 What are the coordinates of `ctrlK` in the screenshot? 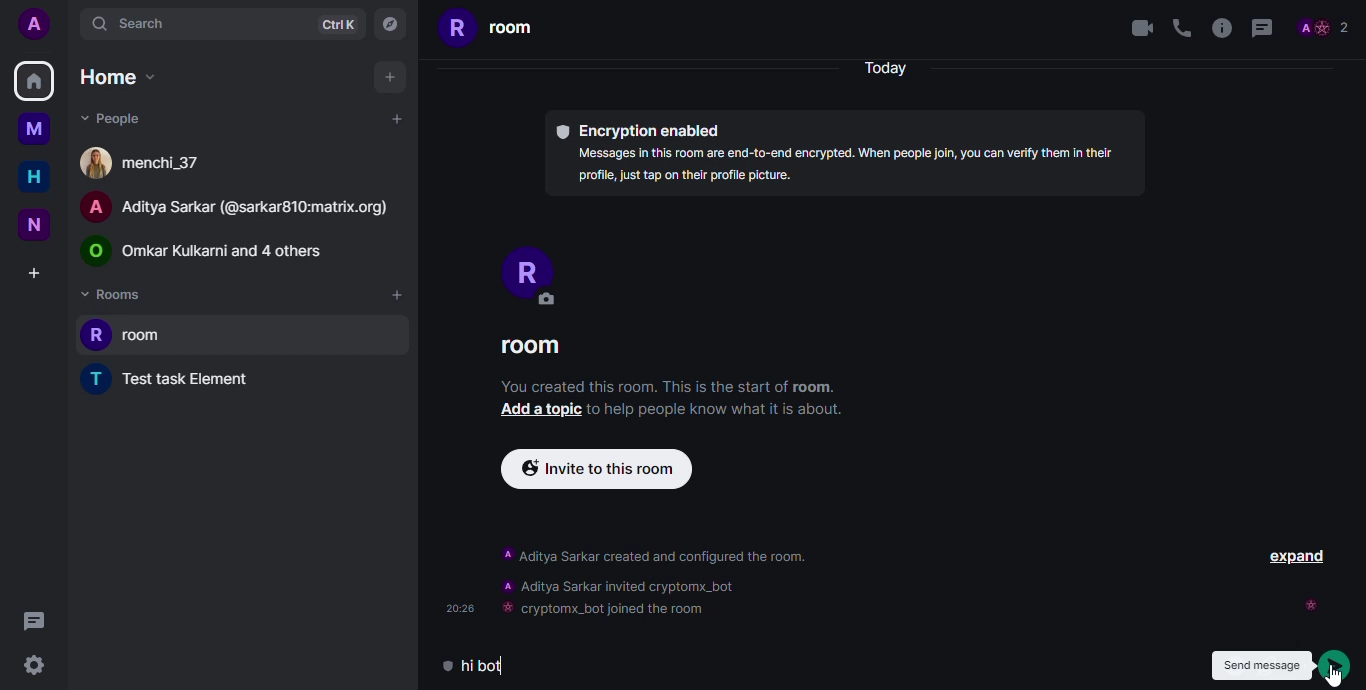 It's located at (338, 25).